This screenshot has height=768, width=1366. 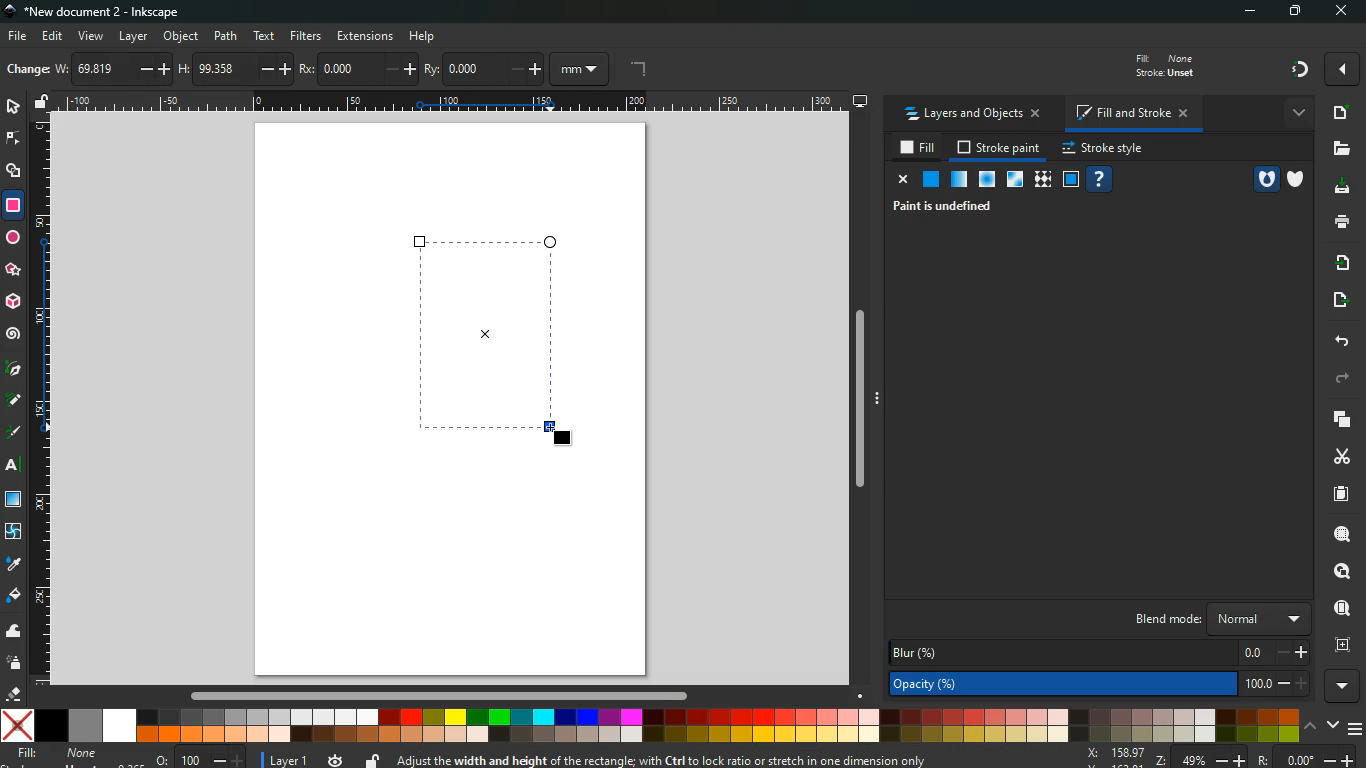 I want to click on menu, so click(x=1356, y=729).